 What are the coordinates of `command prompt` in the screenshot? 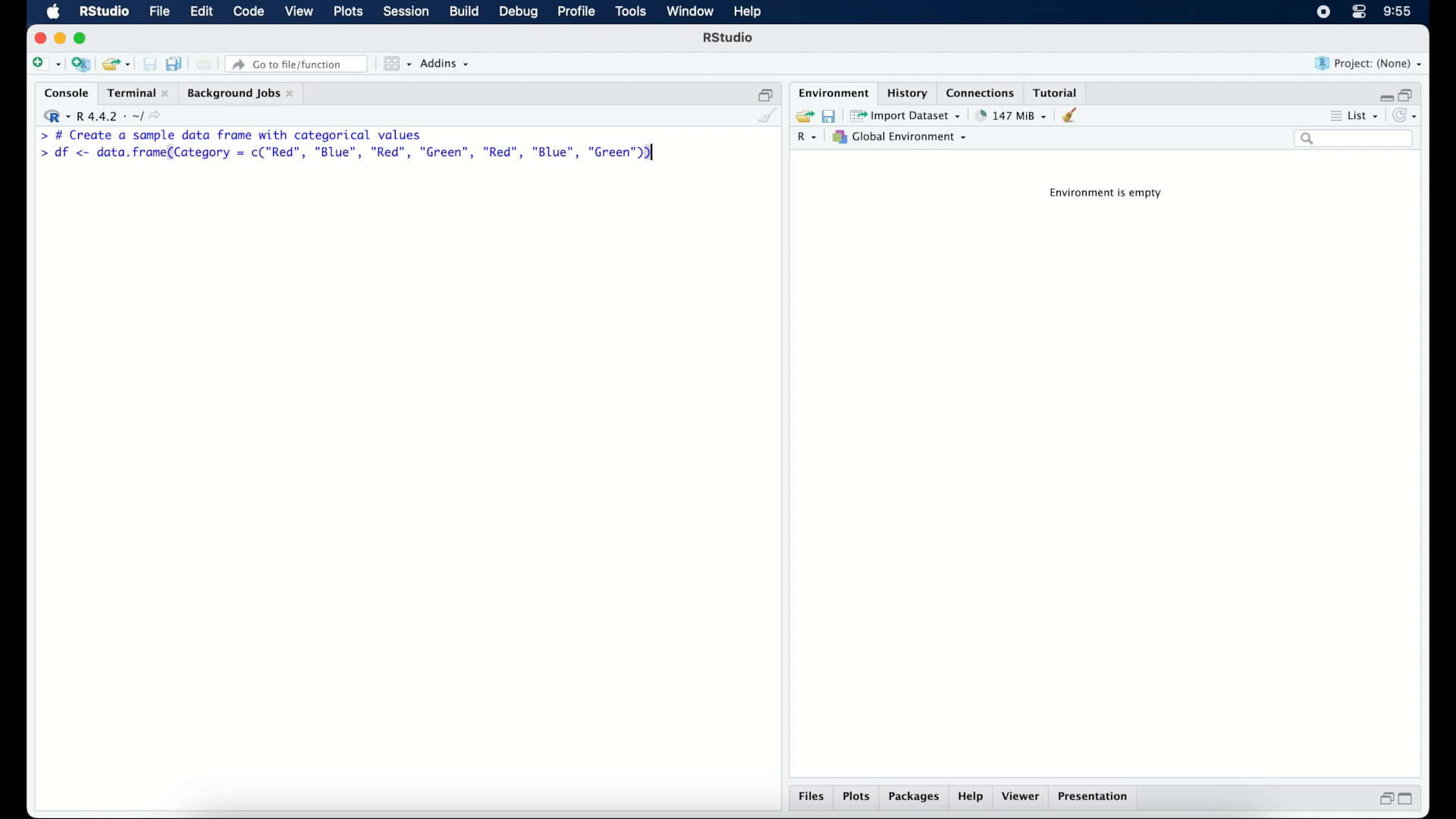 It's located at (38, 135).